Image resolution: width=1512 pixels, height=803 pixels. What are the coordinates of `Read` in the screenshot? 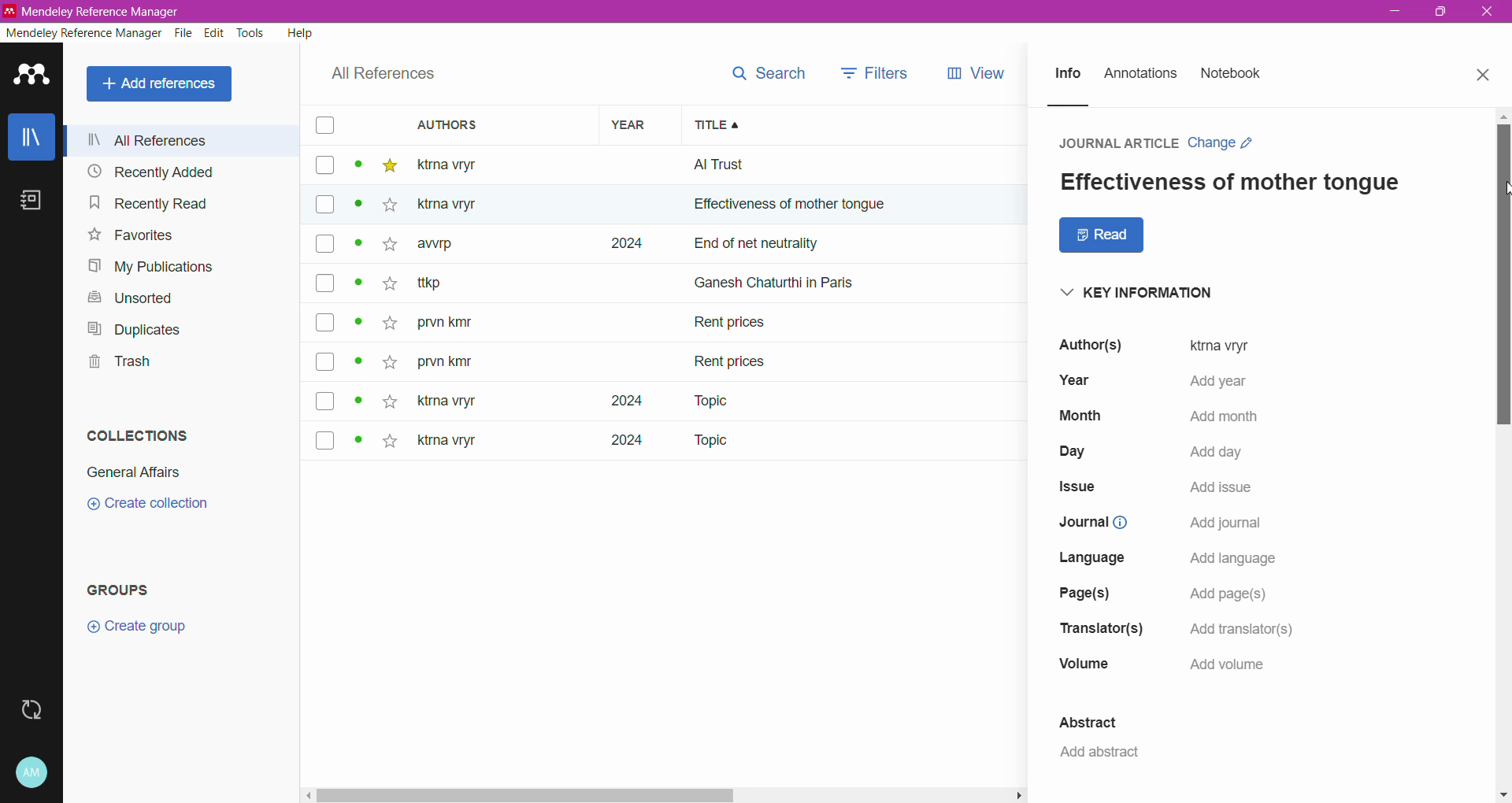 It's located at (1100, 235).